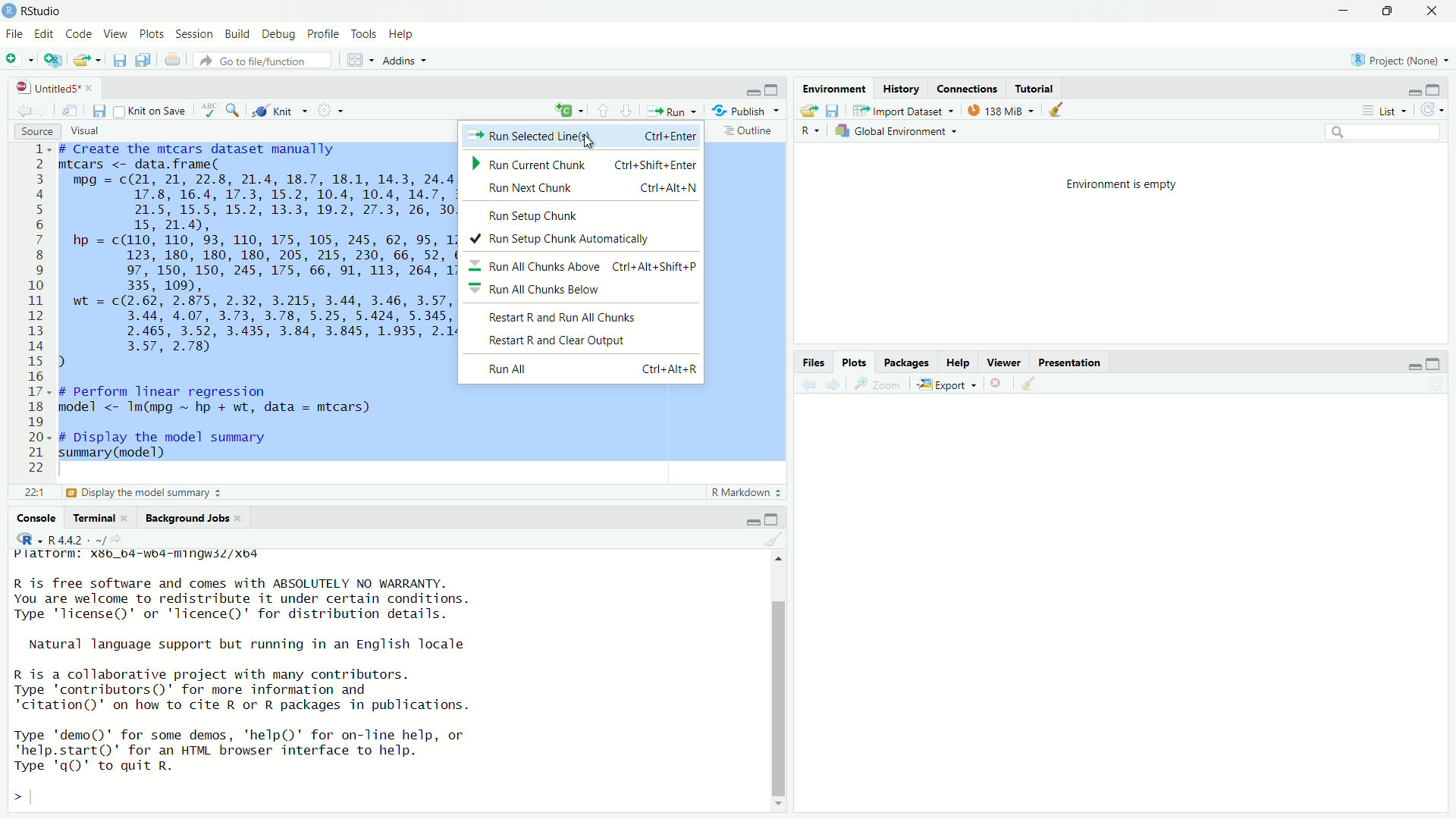 Image resolution: width=1456 pixels, height=819 pixels. What do you see at coordinates (54, 61) in the screenshot?
I see `create project` at bounding box center [54, 61].